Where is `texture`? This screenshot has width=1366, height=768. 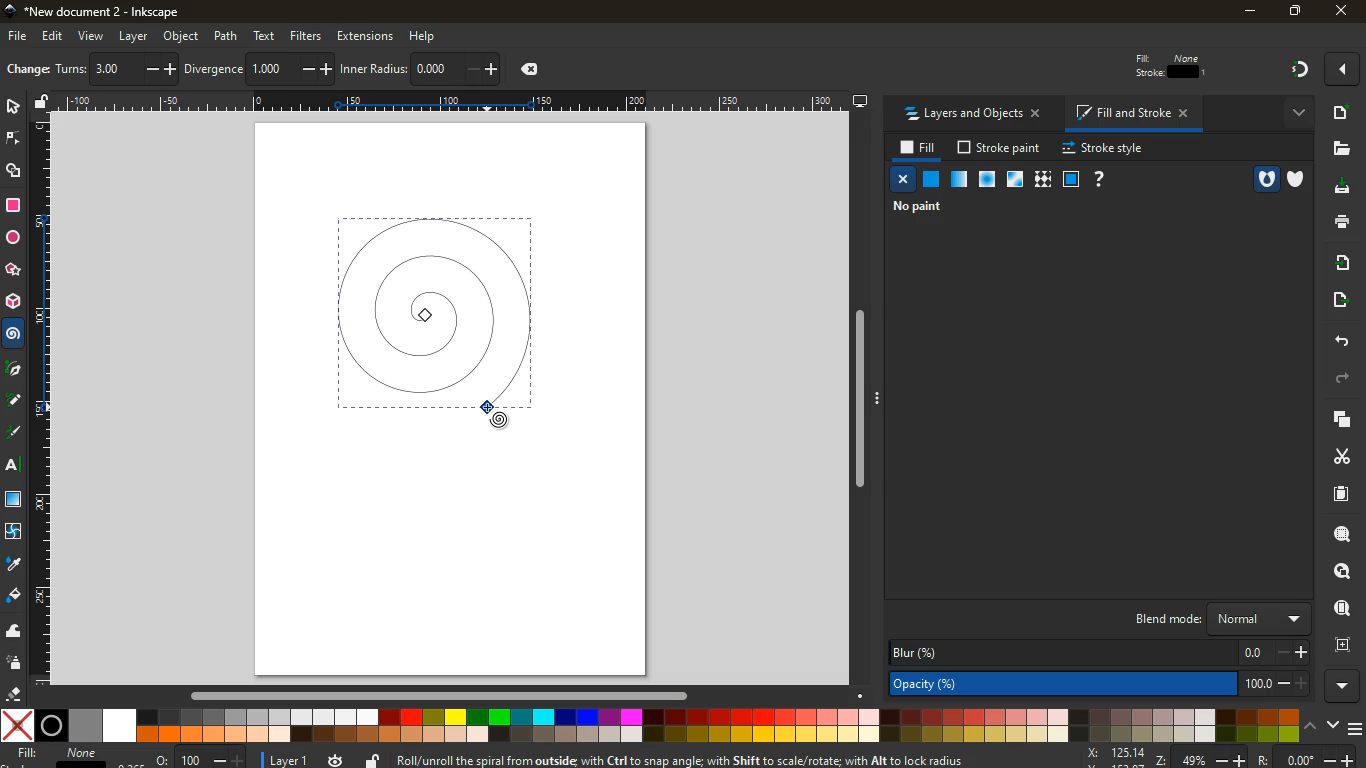
texture is located at coordinates (1042, 179).